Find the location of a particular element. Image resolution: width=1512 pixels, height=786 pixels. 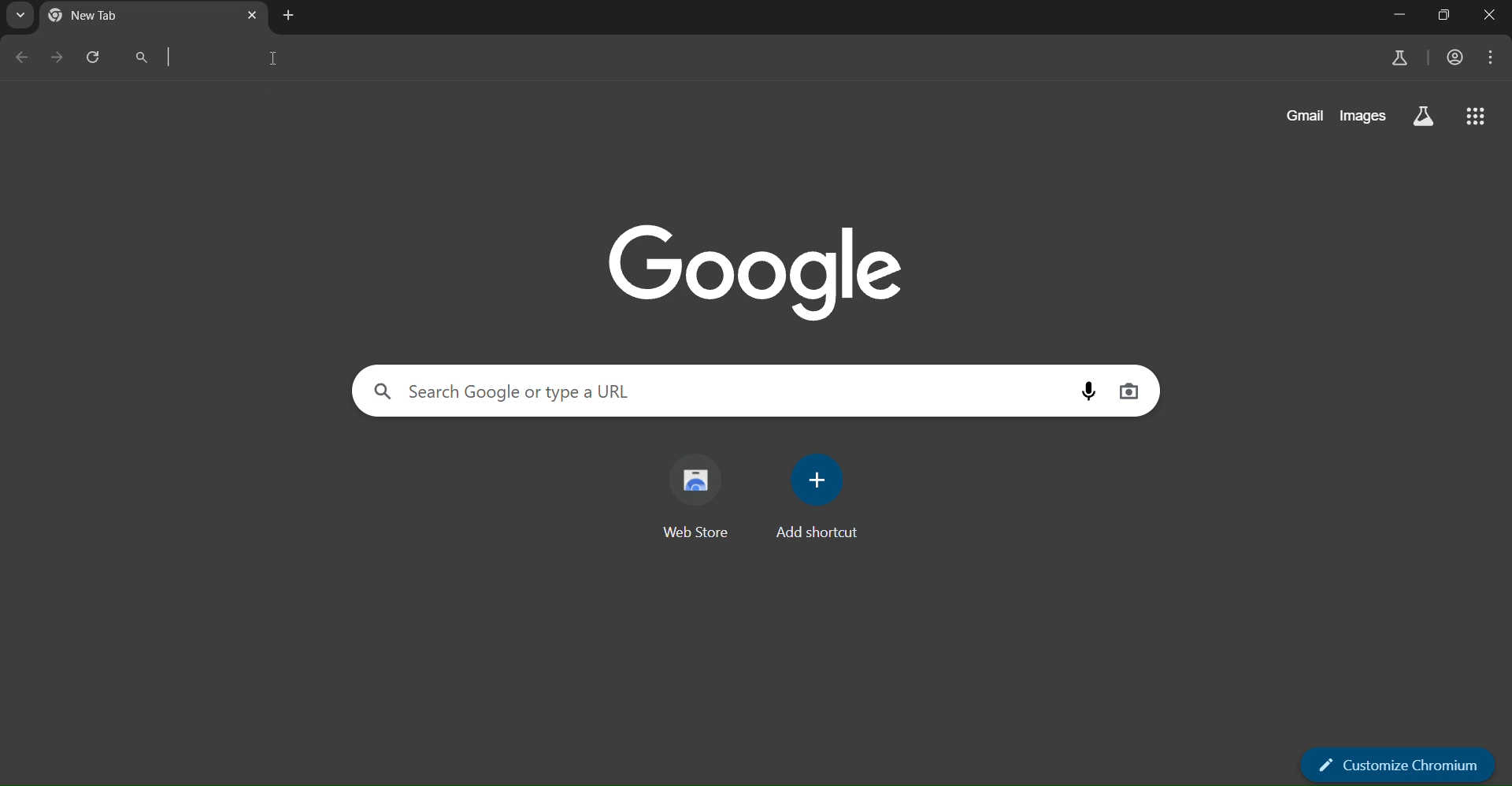

cursor is located at coordinates (276, 61).